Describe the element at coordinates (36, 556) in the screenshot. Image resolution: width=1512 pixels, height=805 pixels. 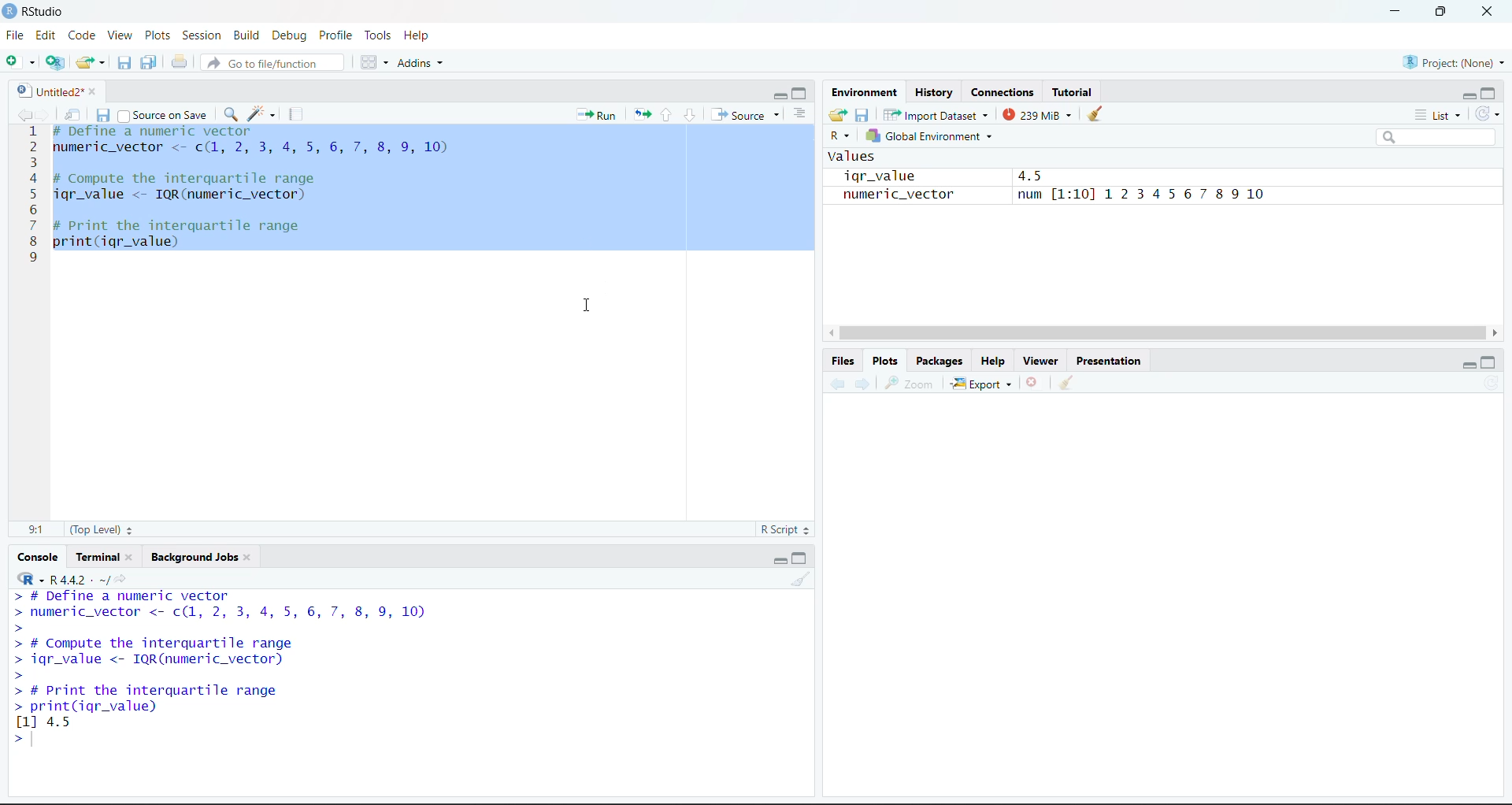
I see `Console` at that location.